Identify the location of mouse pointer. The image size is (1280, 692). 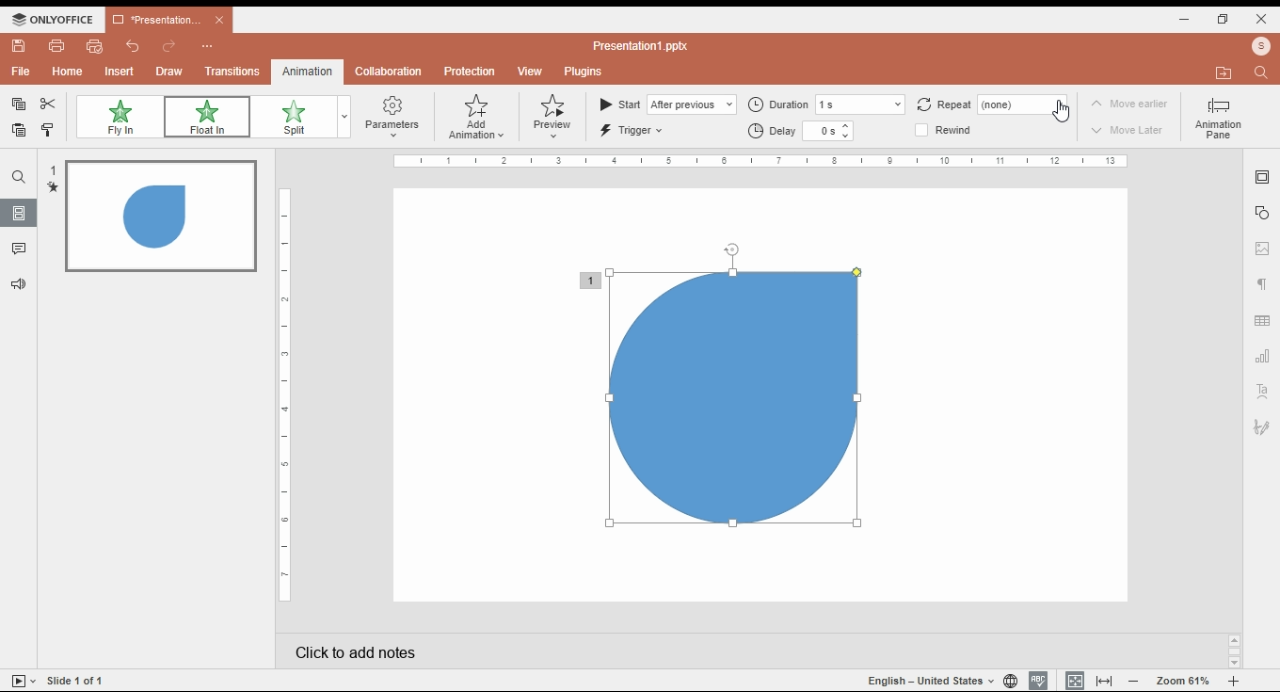
(1062, 114).